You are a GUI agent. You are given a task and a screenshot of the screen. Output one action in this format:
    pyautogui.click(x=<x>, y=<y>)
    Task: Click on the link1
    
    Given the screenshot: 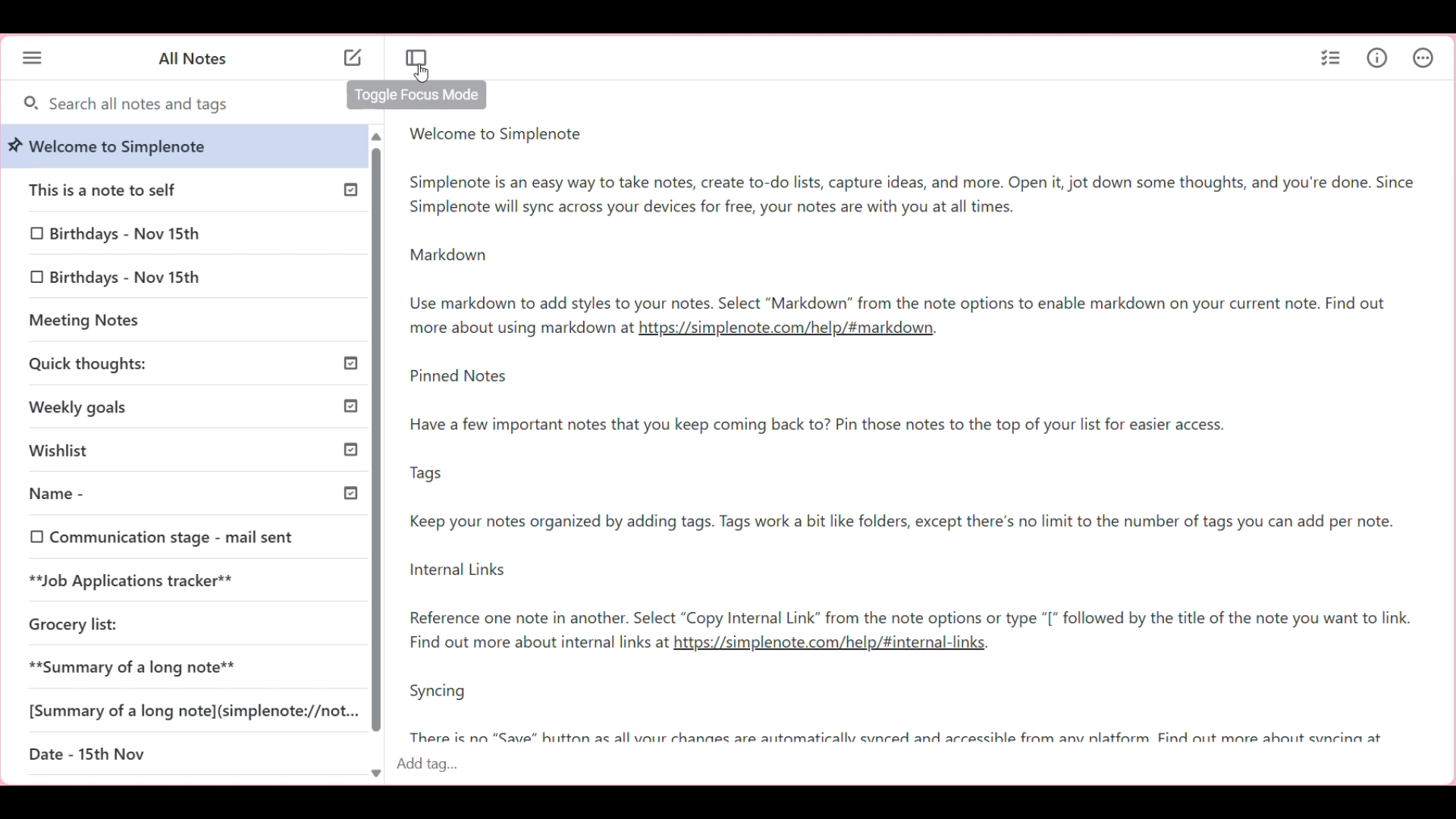 What is the action you would take?
    pyautogui.click(x=788, y=328)
    